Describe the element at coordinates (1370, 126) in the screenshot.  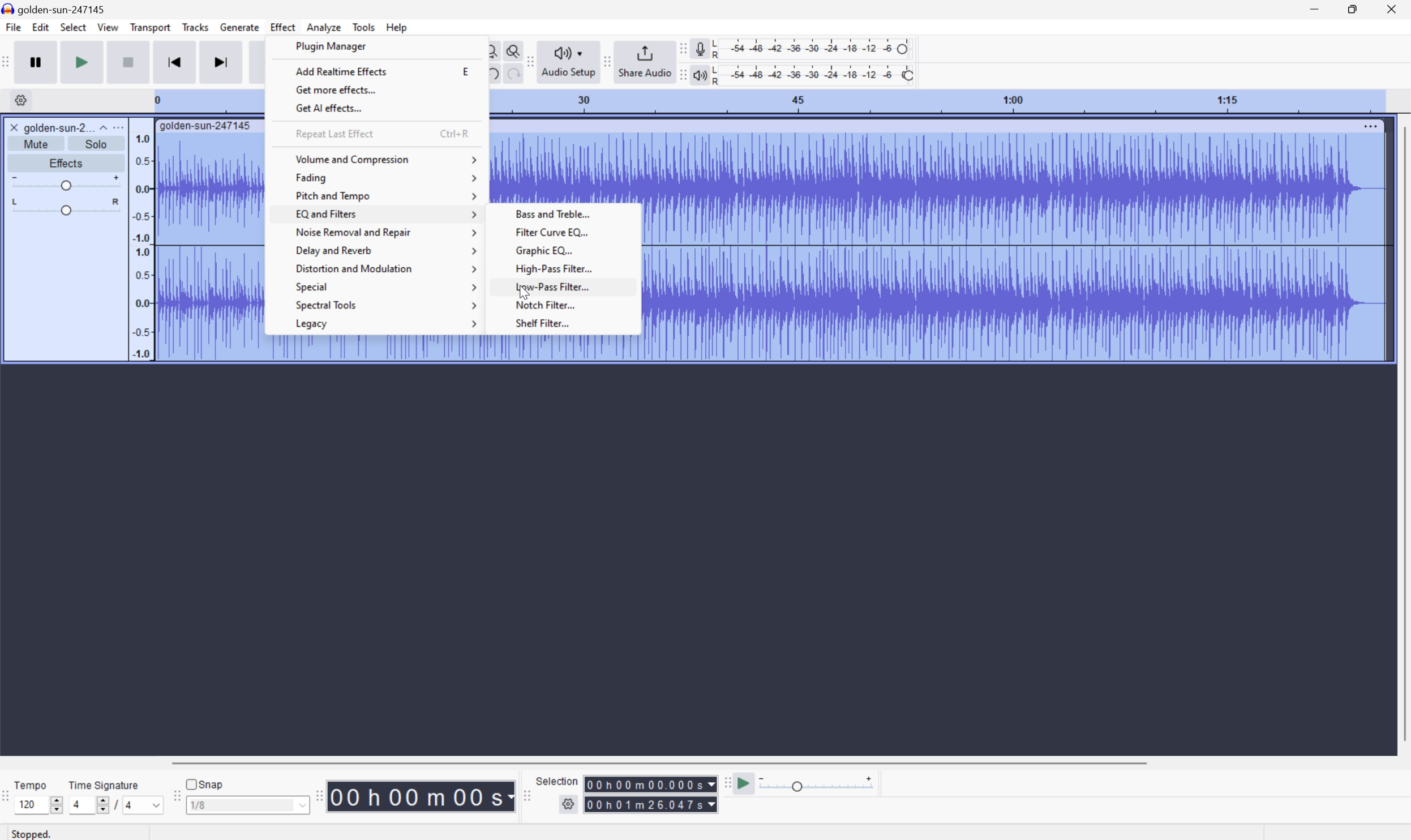
I see `More` at that location.